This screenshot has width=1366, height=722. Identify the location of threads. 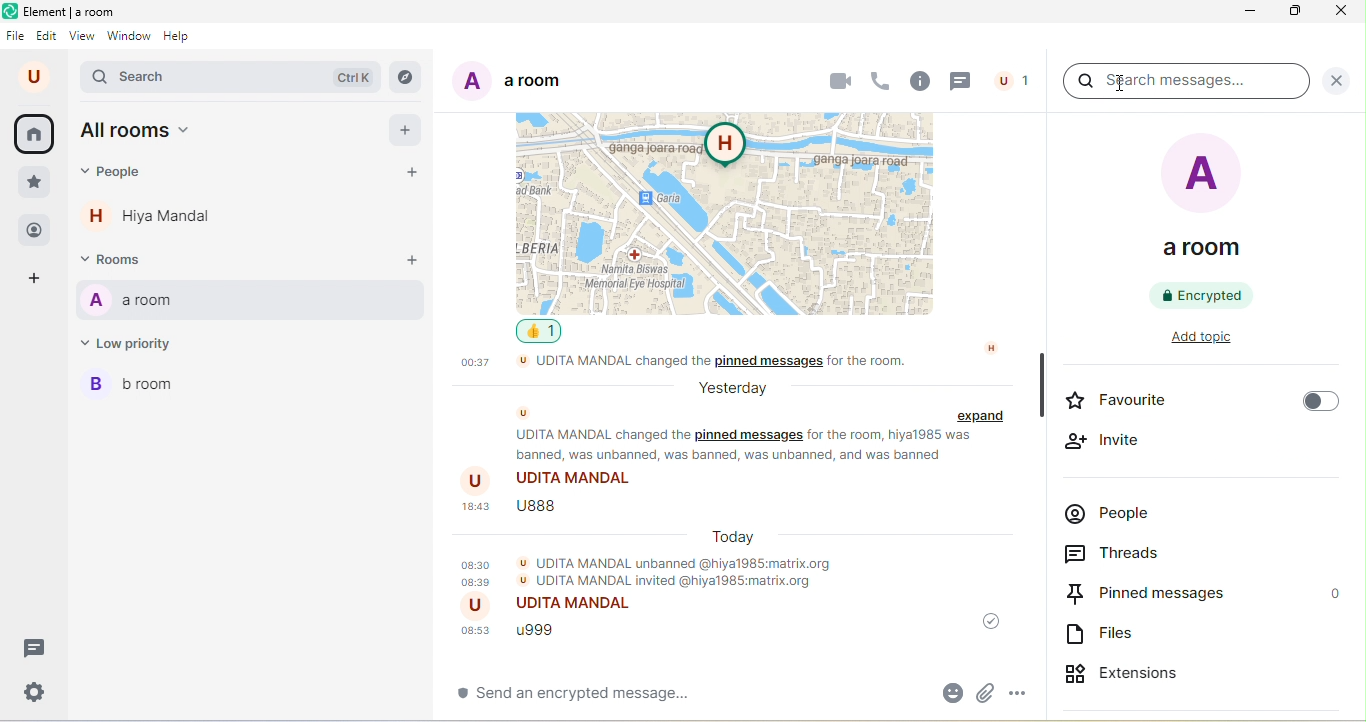
(31, 647).